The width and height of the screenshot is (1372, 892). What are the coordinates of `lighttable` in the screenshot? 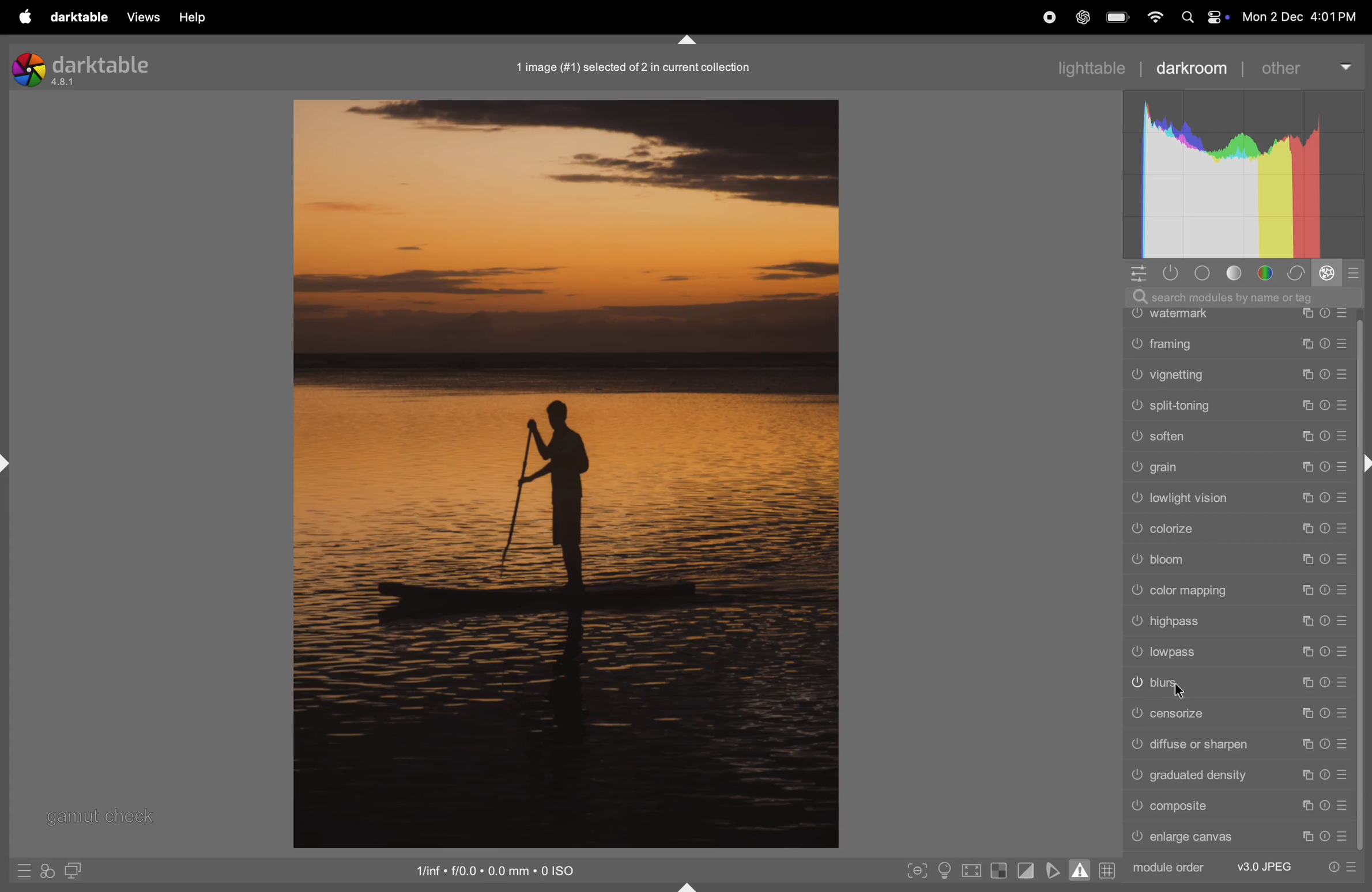 It's located at (1065, 67).